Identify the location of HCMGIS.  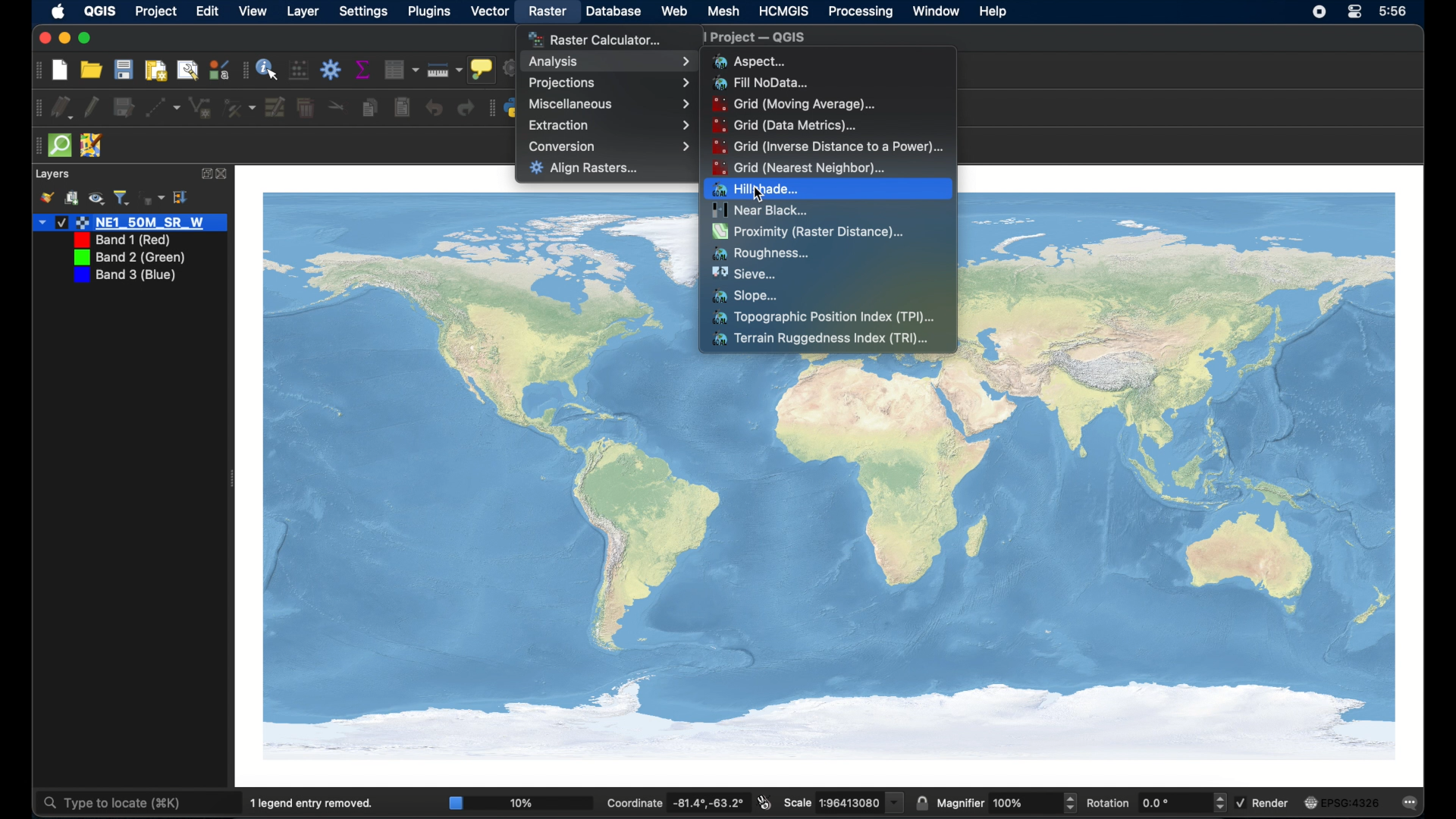
(783, 11).